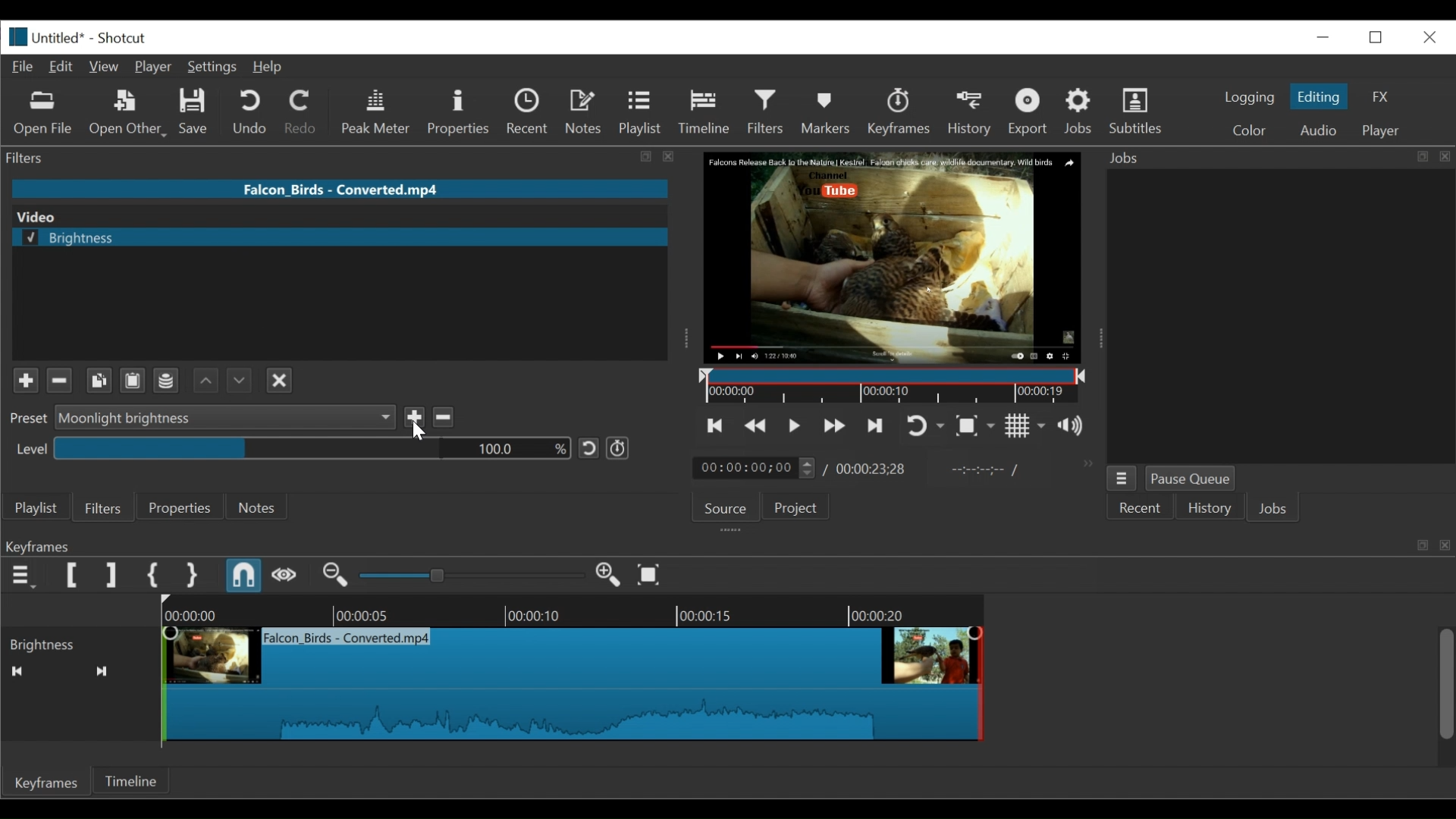 The width and height of the screenshot is (1456, 819). I want to click on Minus, so click(60, 381).